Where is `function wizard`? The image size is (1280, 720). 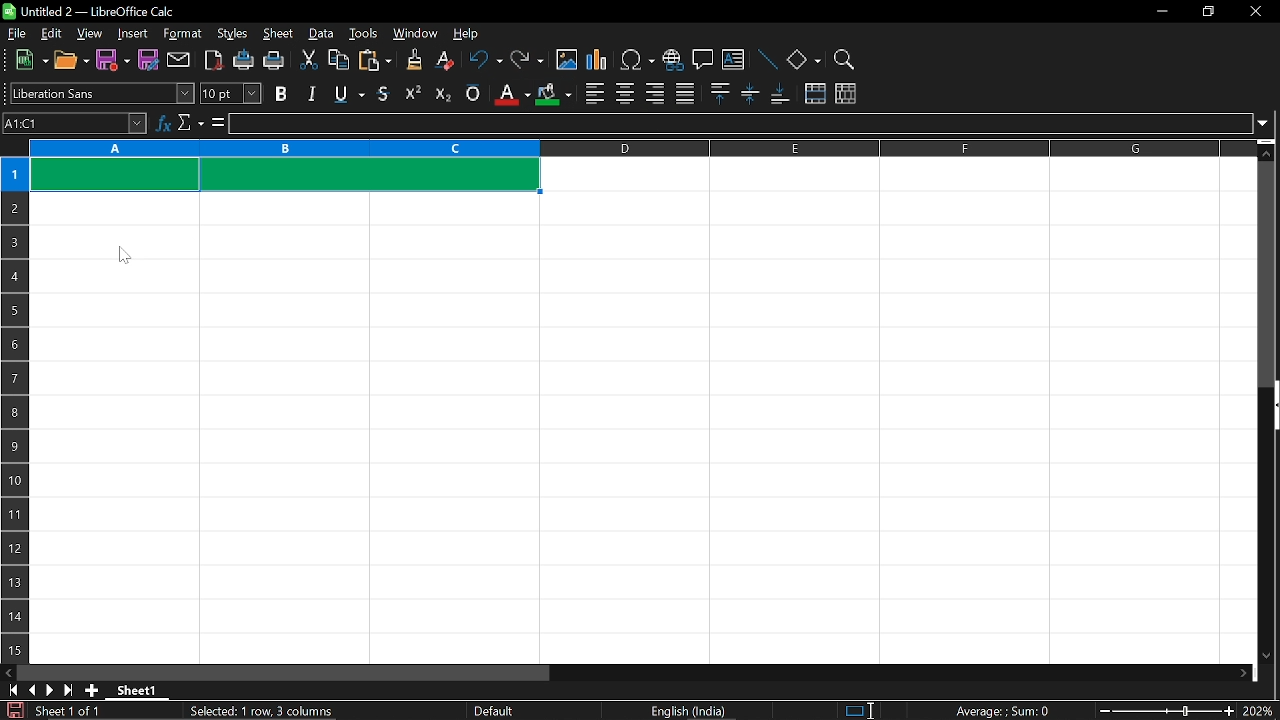
function wizard is located at coordinates (163, 124).